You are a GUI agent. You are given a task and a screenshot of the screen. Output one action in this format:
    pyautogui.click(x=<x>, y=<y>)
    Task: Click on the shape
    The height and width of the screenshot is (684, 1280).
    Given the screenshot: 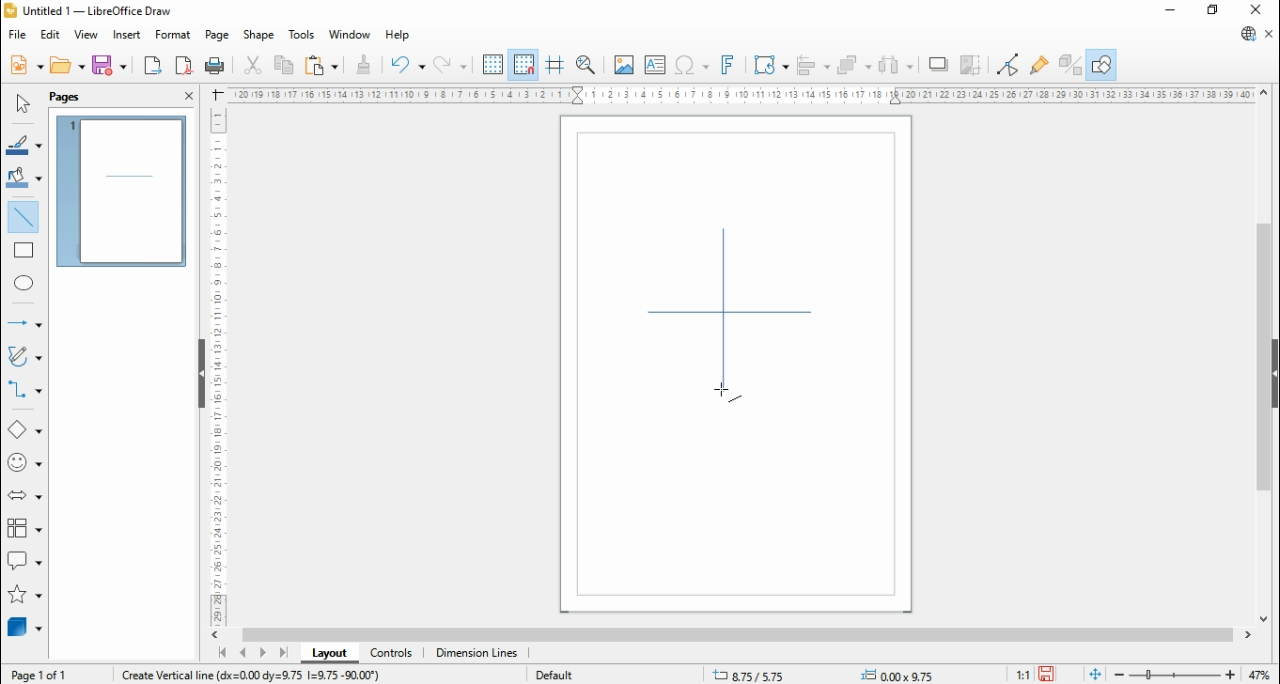 What is the action you would take?
    pyautogui.click(x=259, y=35)
    